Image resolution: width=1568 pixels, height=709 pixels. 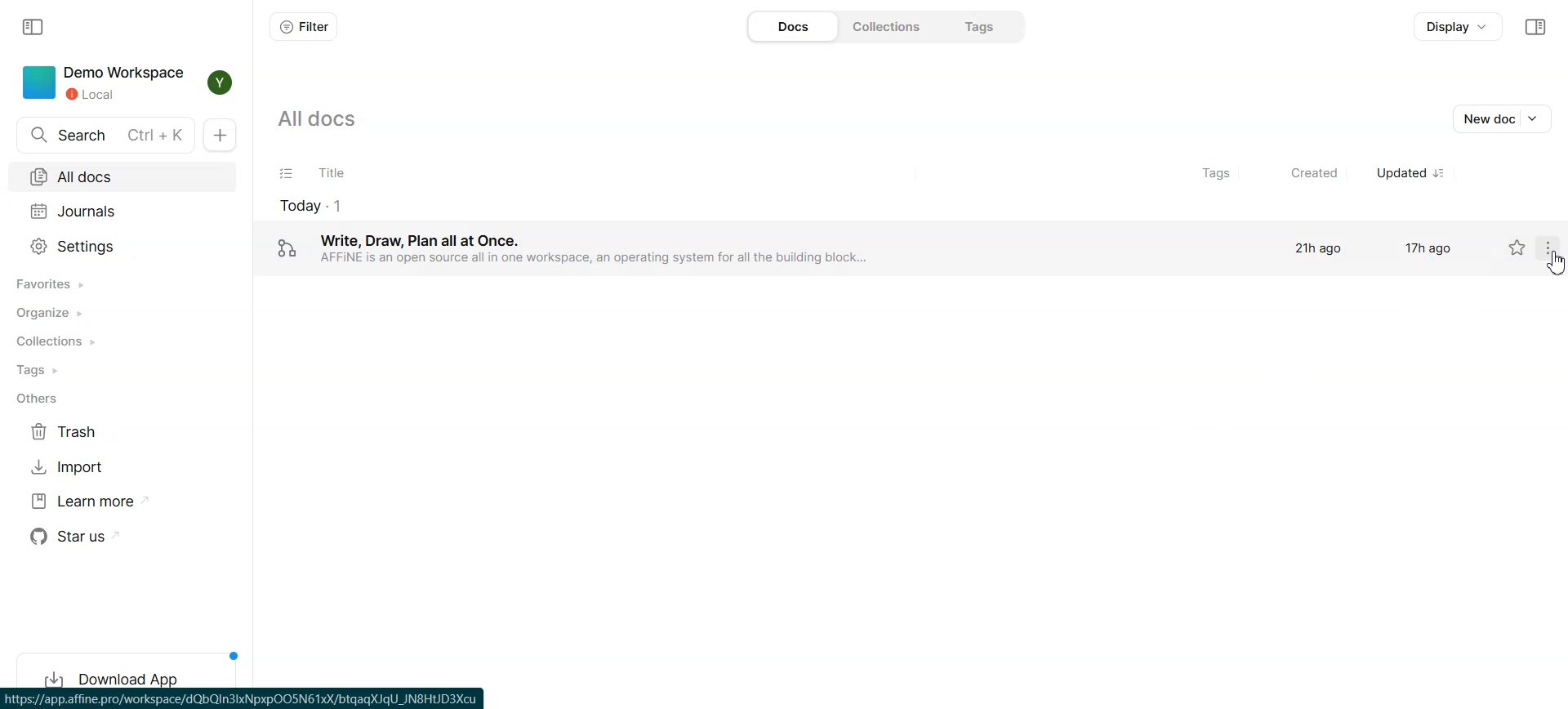 I want to click on Created, so click(x=1307, y=173).